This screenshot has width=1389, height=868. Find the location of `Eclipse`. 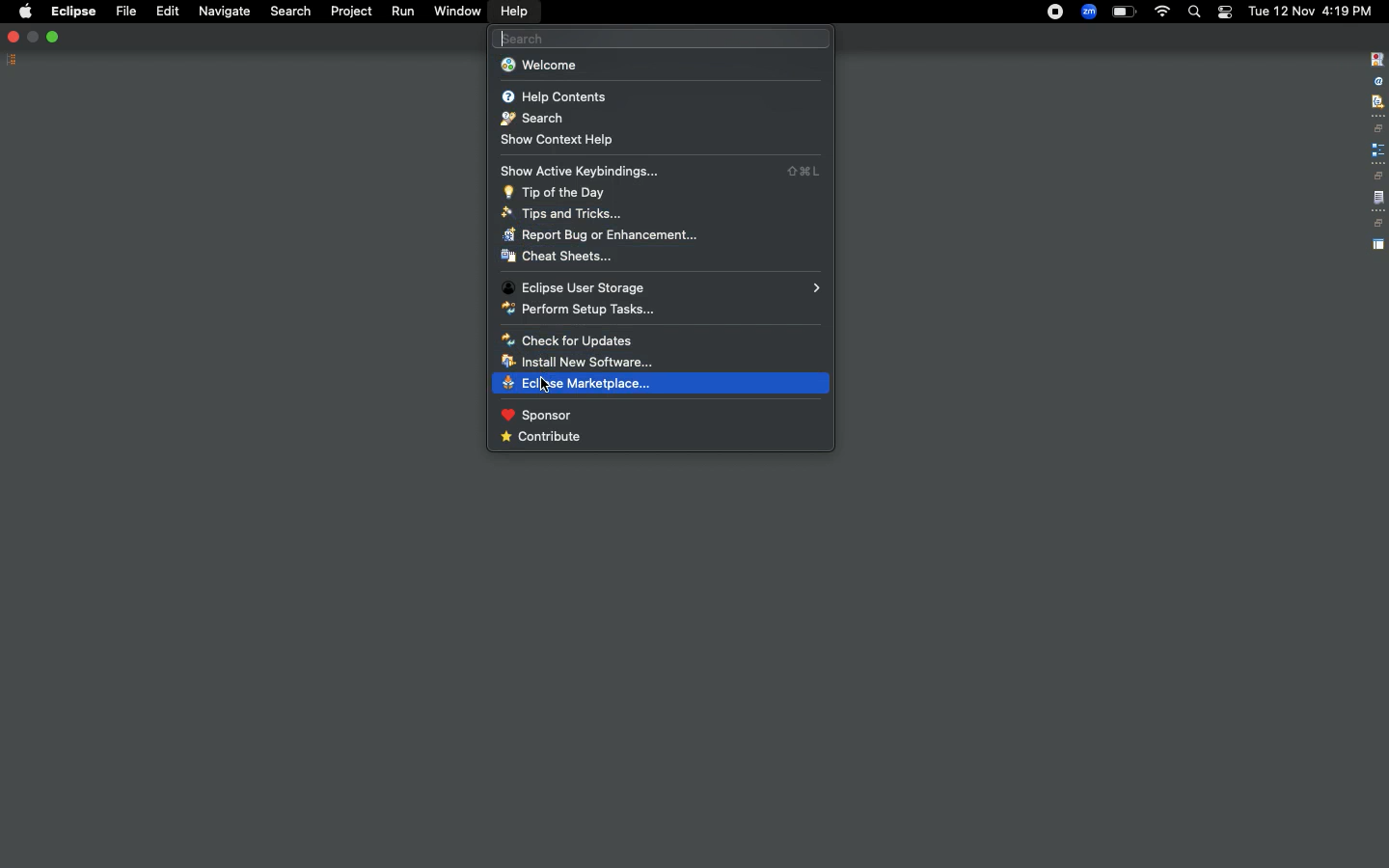

Eclipse is located at coordinates (73, 12).